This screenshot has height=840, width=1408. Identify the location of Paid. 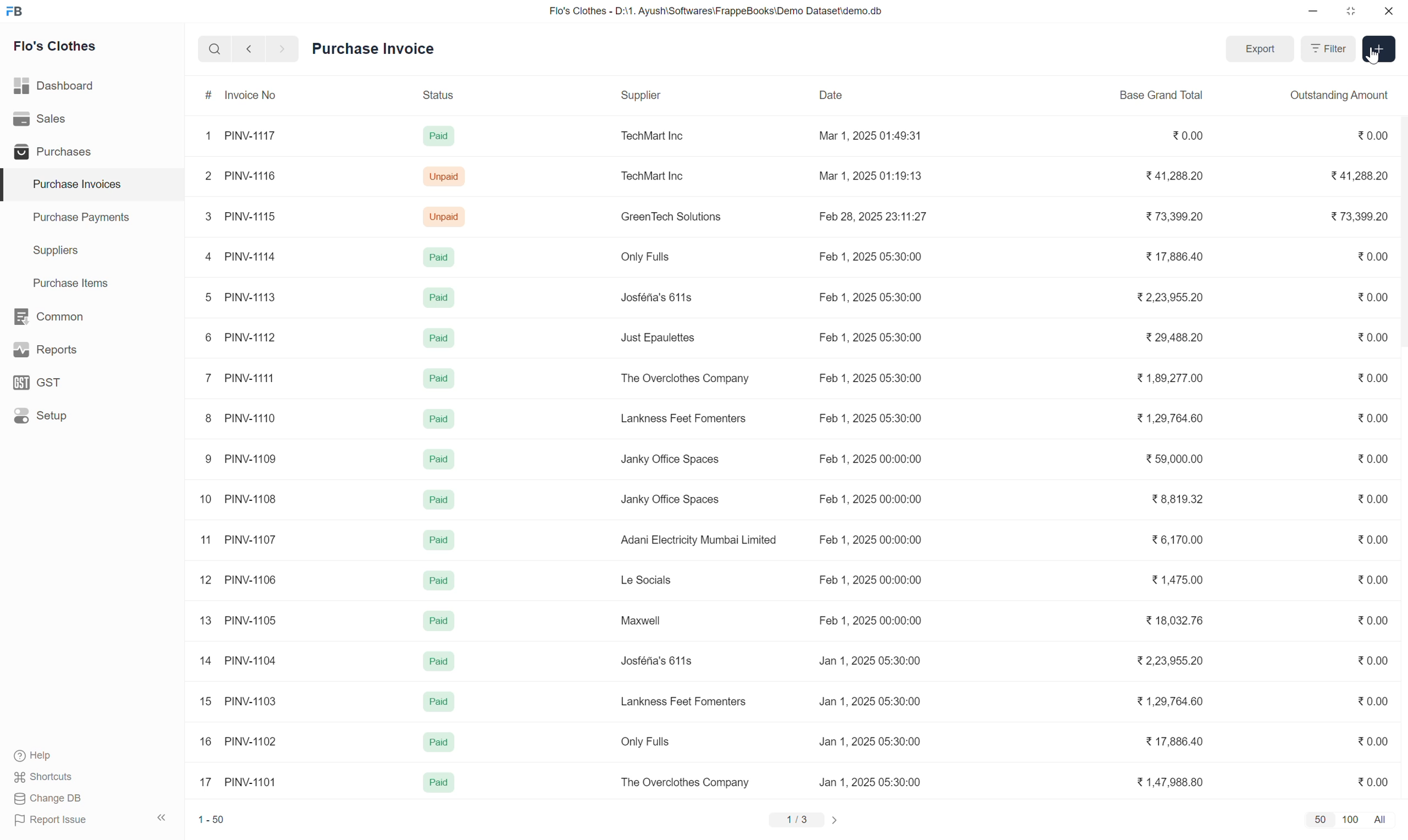
(439, 418).